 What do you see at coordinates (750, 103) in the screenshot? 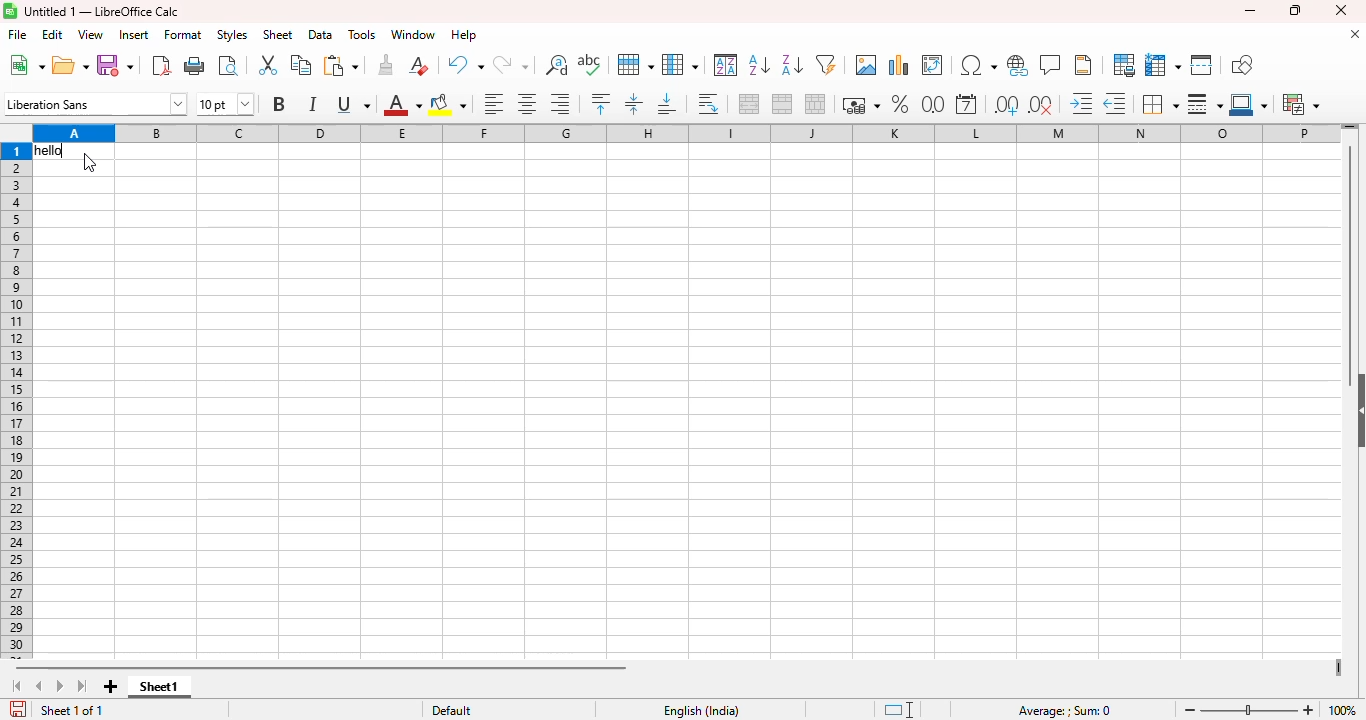
I see `merge and center or unmerge cells depending on the current toggle state` at bounding box center [750, 103].